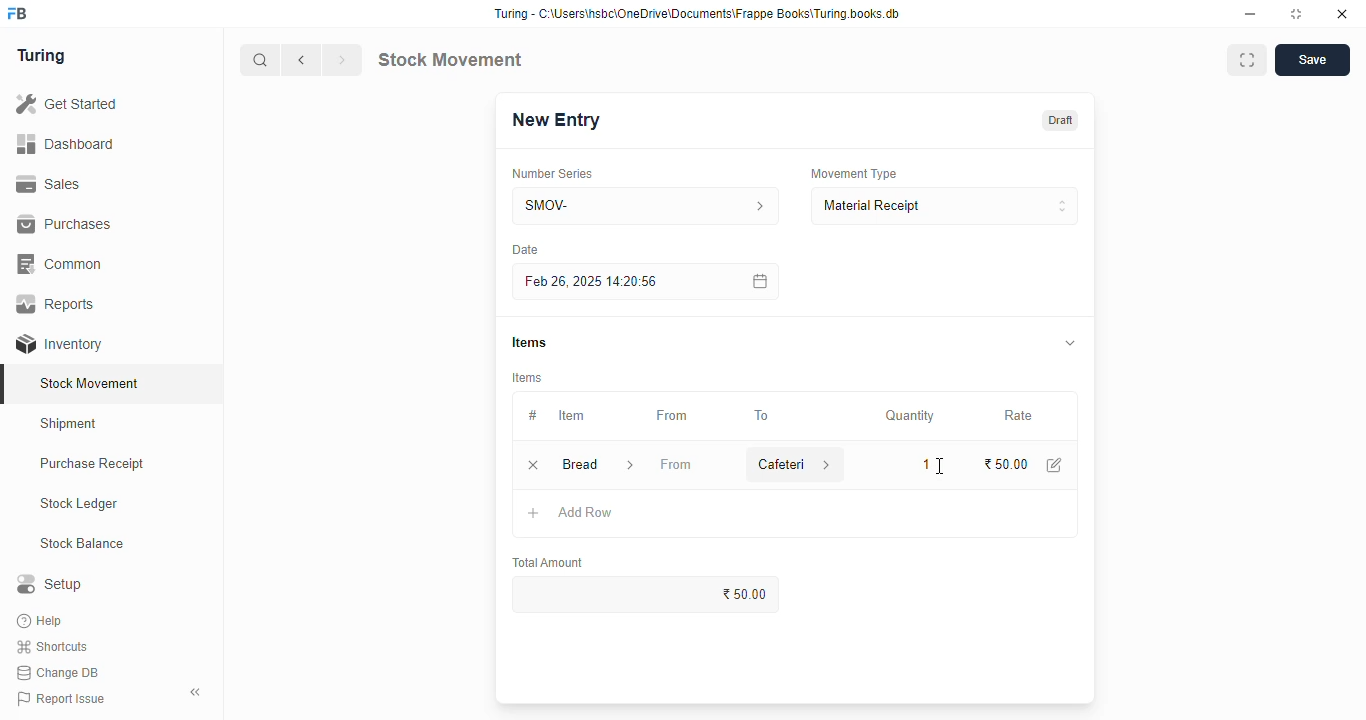 Image resolution: width=1366 pixels, height=720 pixels. Describe the element at coordinates (52, 647) in the screenshot. I see `shortcuts` at that location.